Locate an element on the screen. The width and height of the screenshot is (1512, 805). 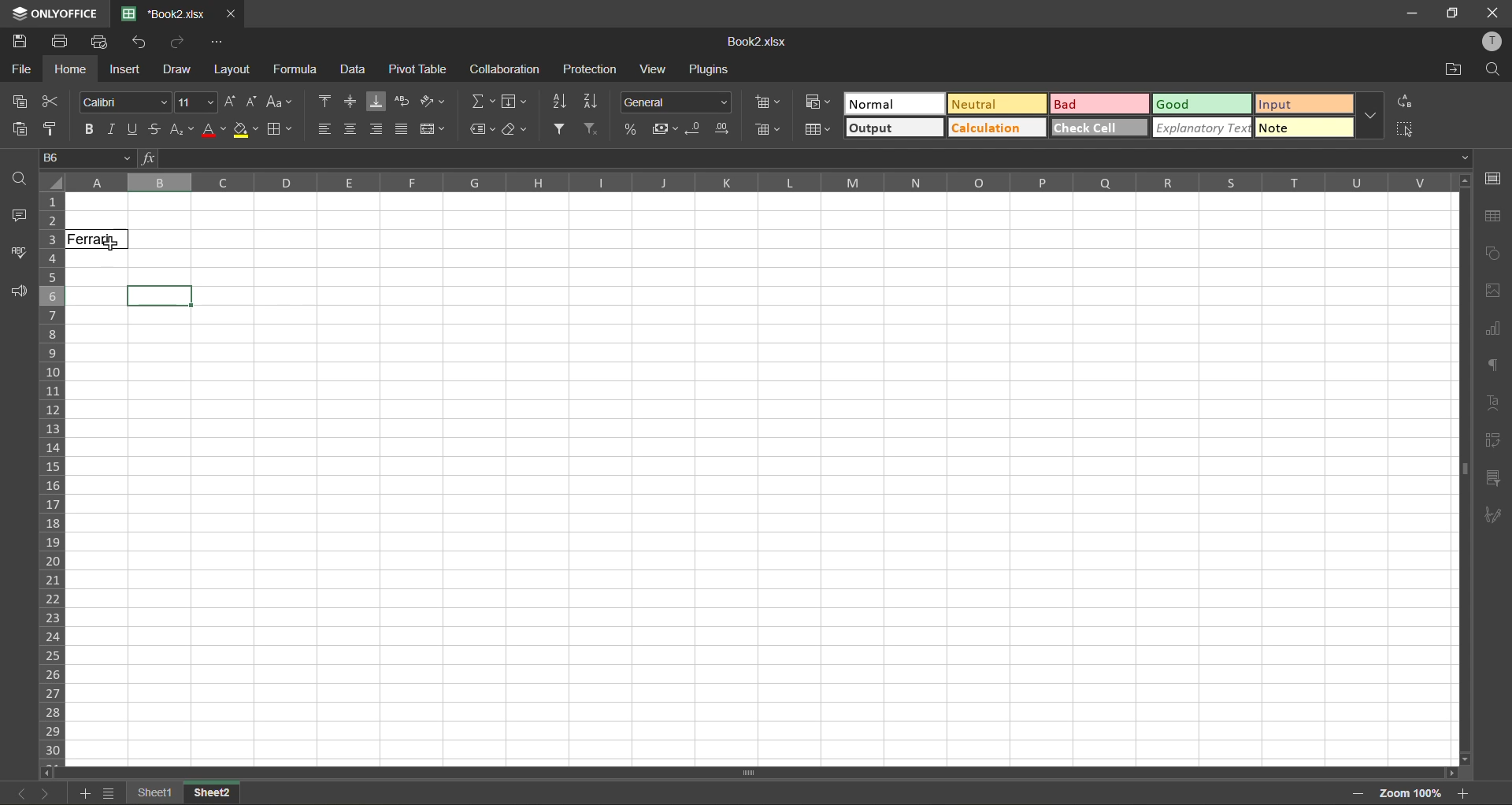
sub/superscript is located at coordinates (182, 131).